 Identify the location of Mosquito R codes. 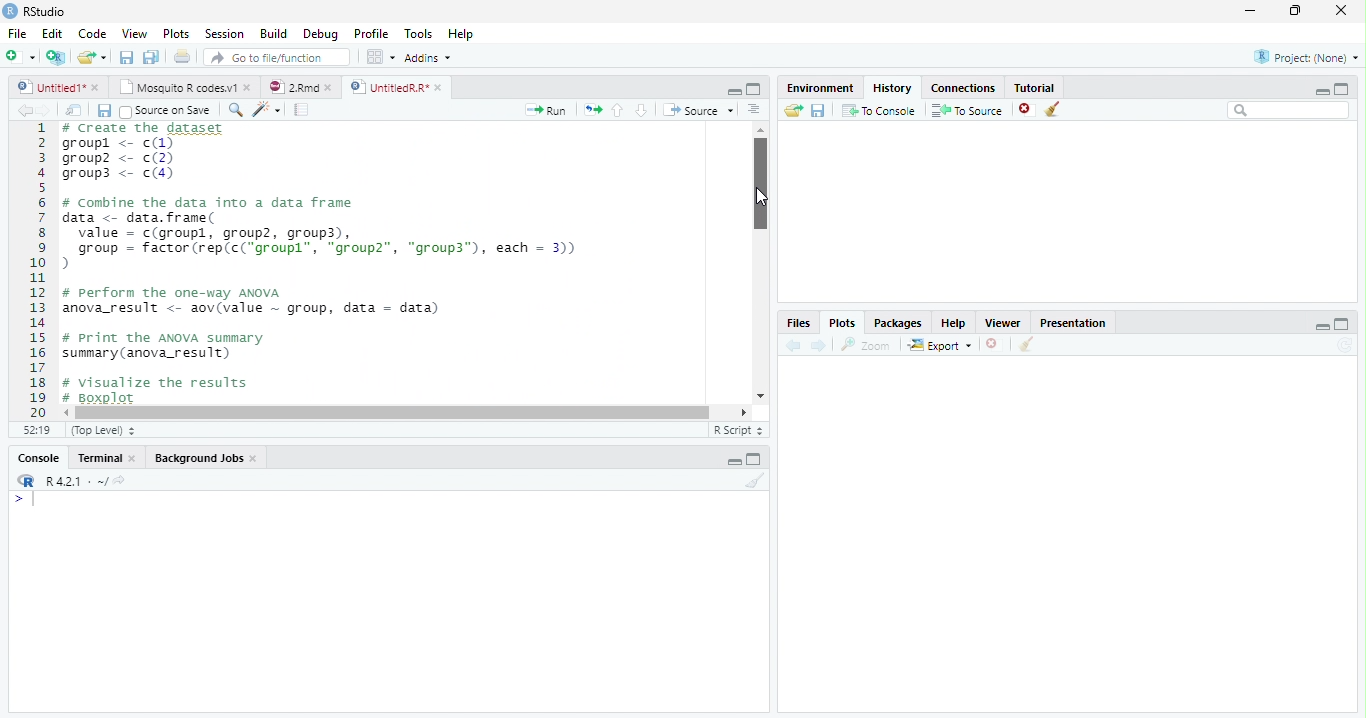
(184, 87).